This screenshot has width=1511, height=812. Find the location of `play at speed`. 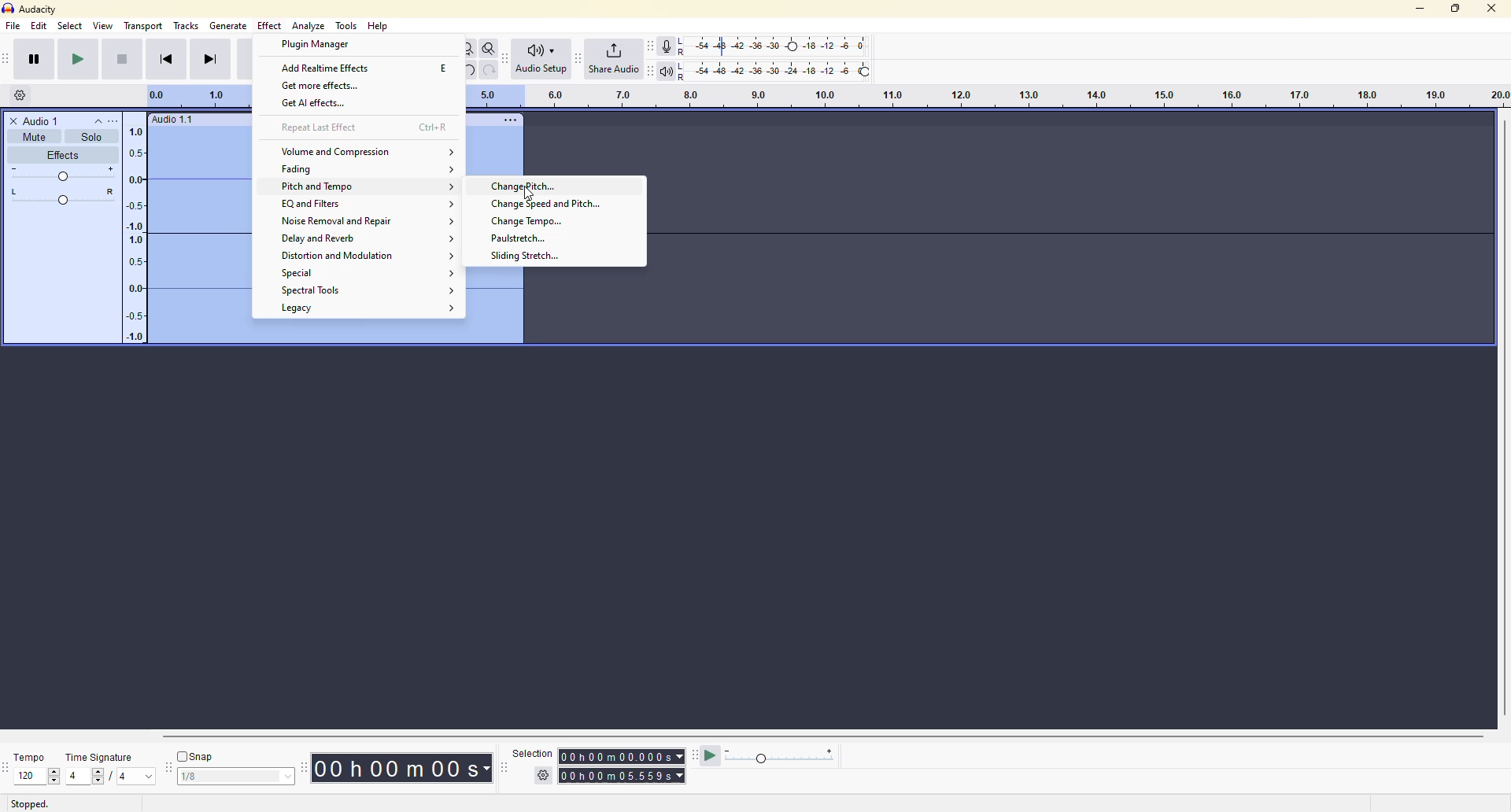

play at speed is located at coordinates (711, 755).